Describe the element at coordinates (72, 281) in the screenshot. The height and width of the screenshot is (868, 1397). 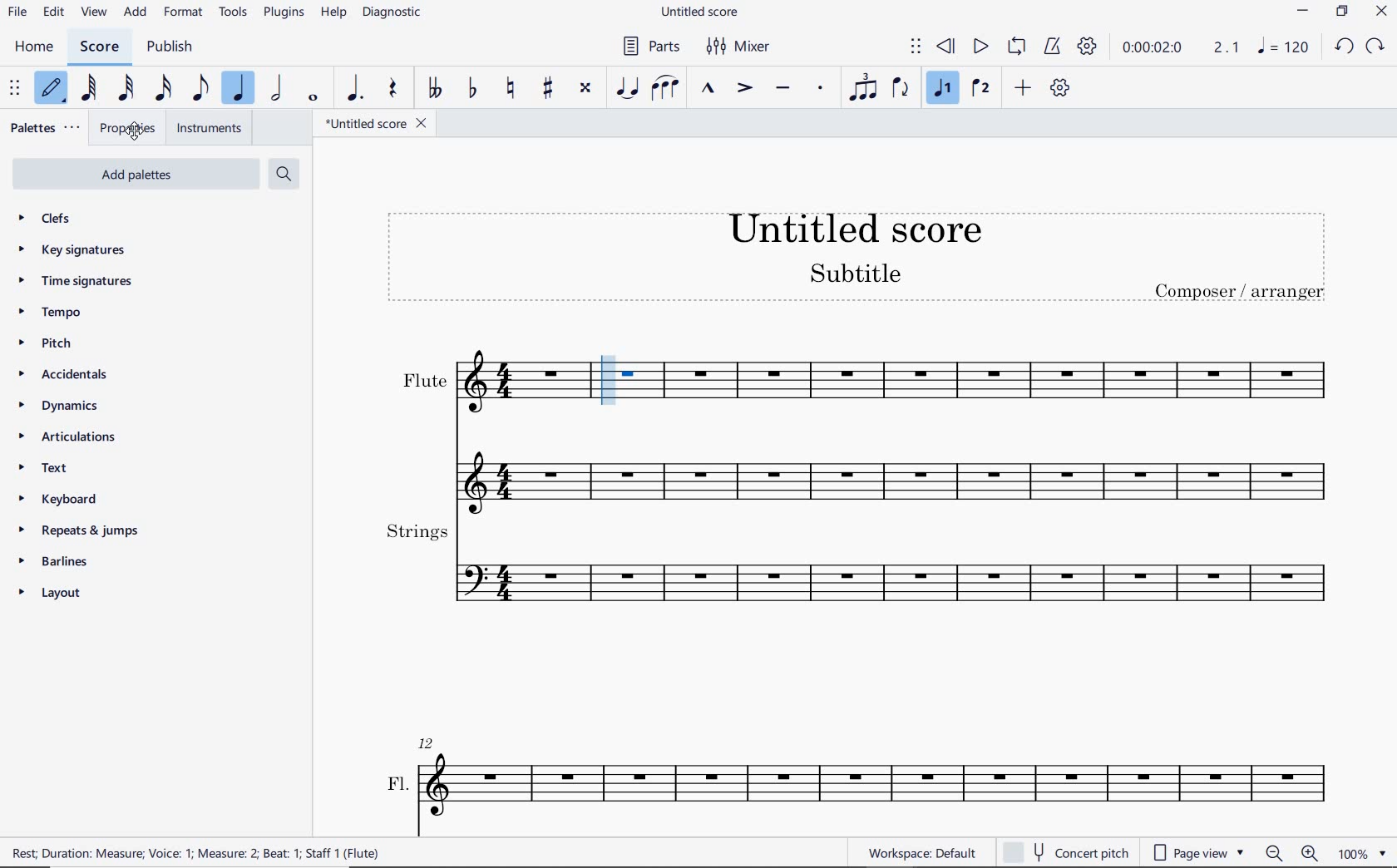
I see `time signatures` at that location.